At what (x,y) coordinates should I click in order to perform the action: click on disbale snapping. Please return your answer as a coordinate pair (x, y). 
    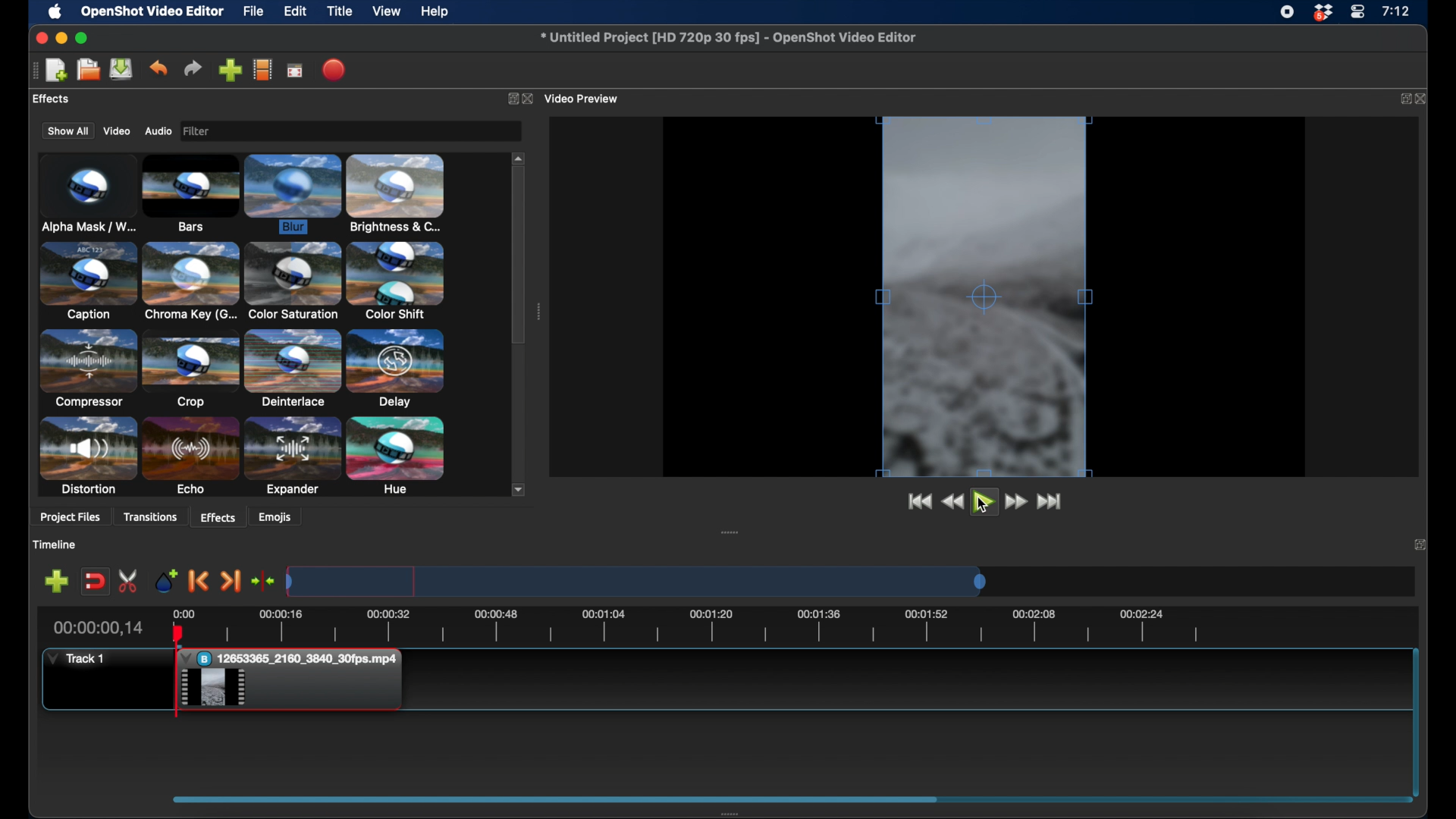
    Looking at the image, I should click on (96, 580).